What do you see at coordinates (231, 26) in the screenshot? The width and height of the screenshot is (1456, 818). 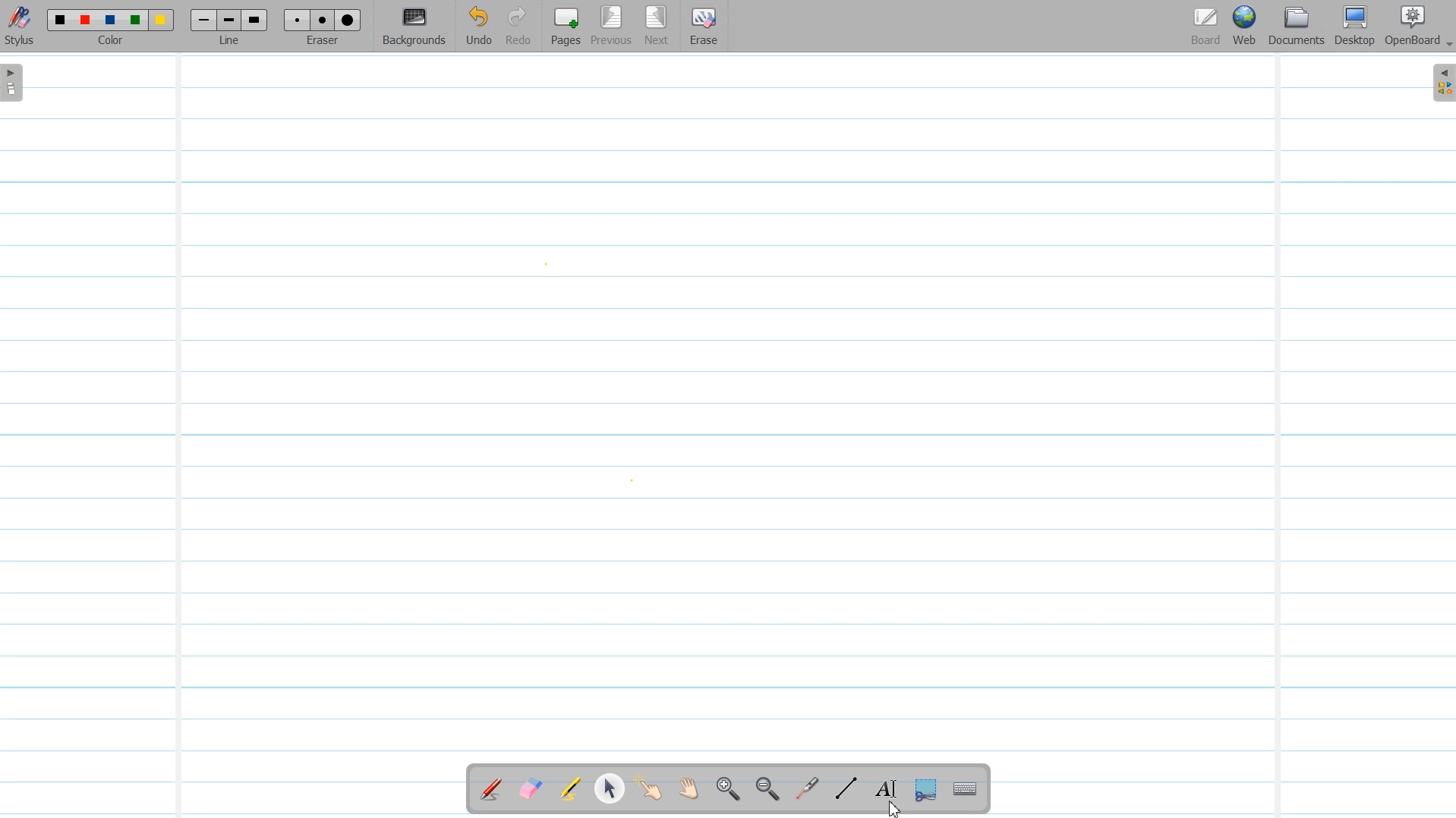 I see `Line` at bounding box center [231, 26].